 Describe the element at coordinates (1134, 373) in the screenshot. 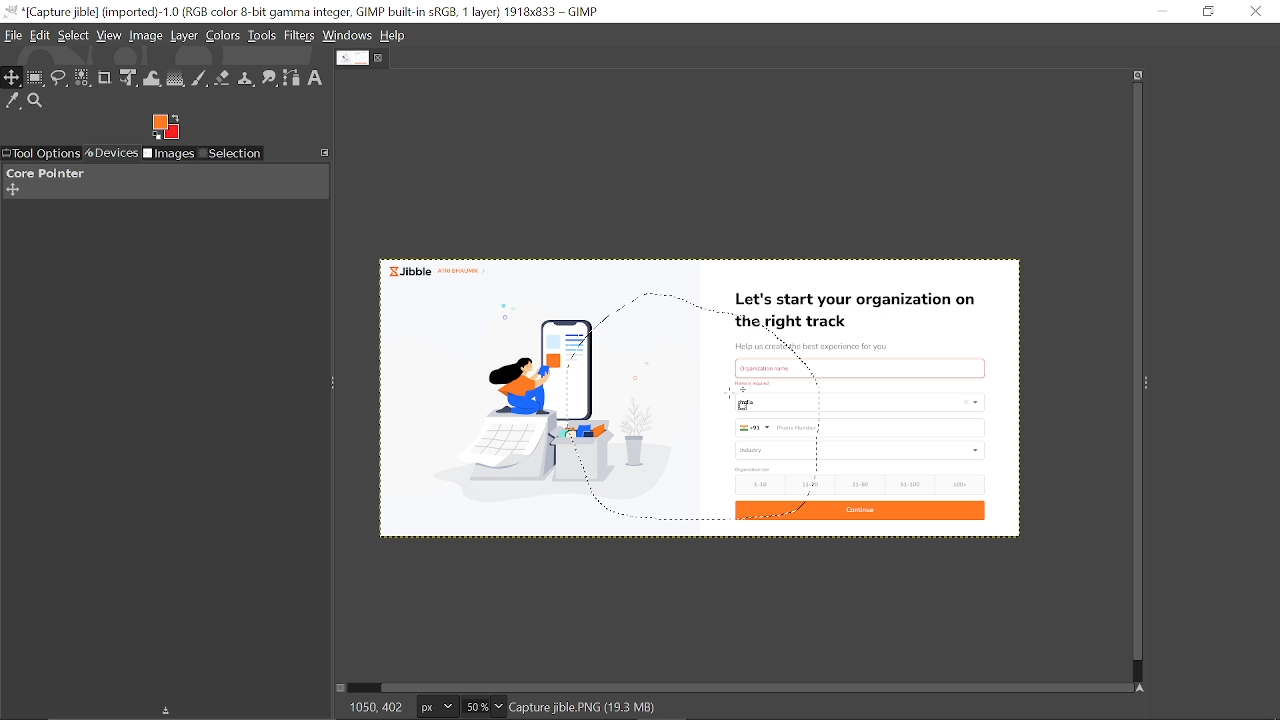

I see `Vertical scrollbar` at that location.